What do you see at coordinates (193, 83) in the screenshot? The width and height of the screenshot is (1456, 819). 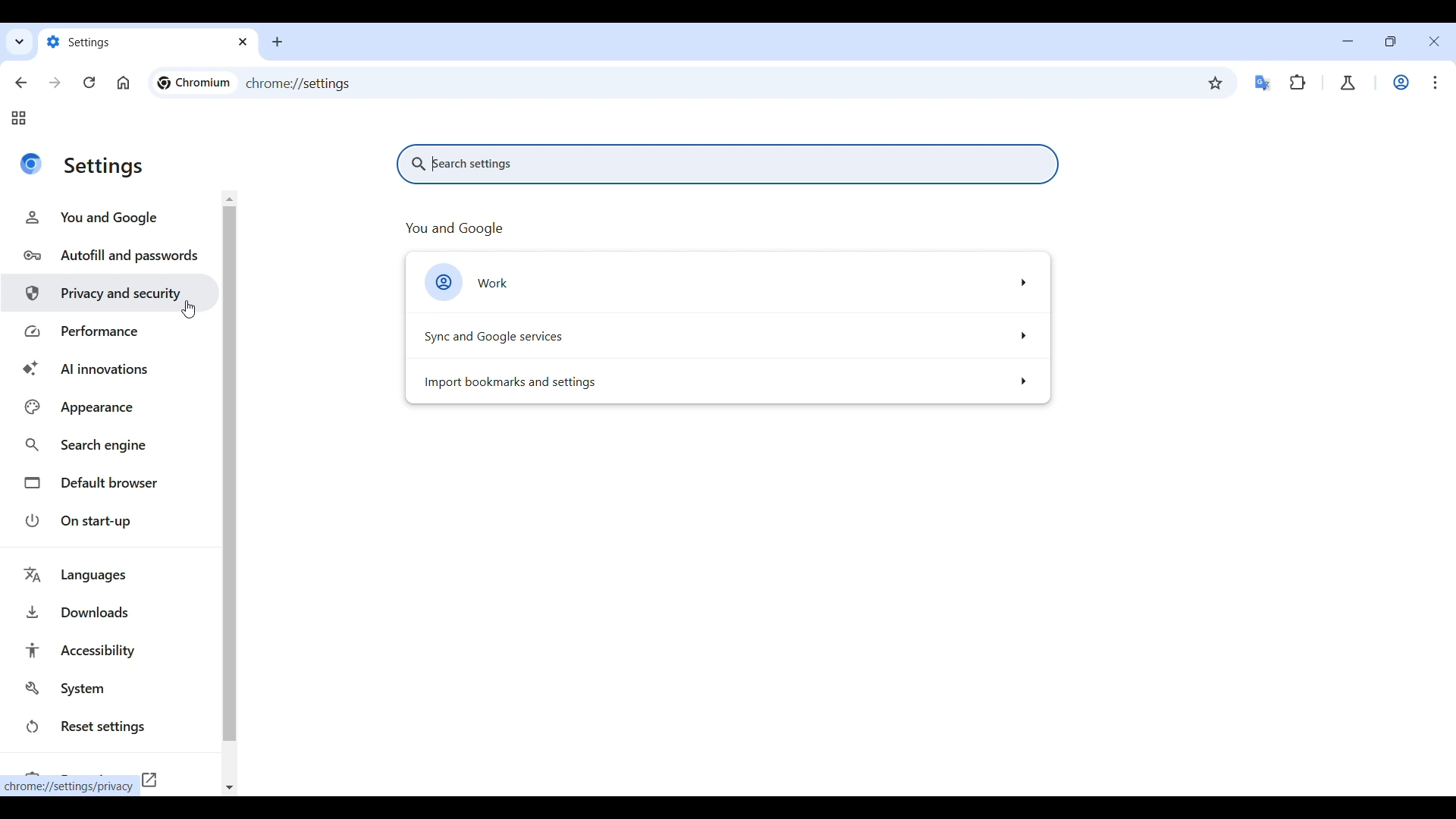 I see `chromium` at bounding box center [193, 83].